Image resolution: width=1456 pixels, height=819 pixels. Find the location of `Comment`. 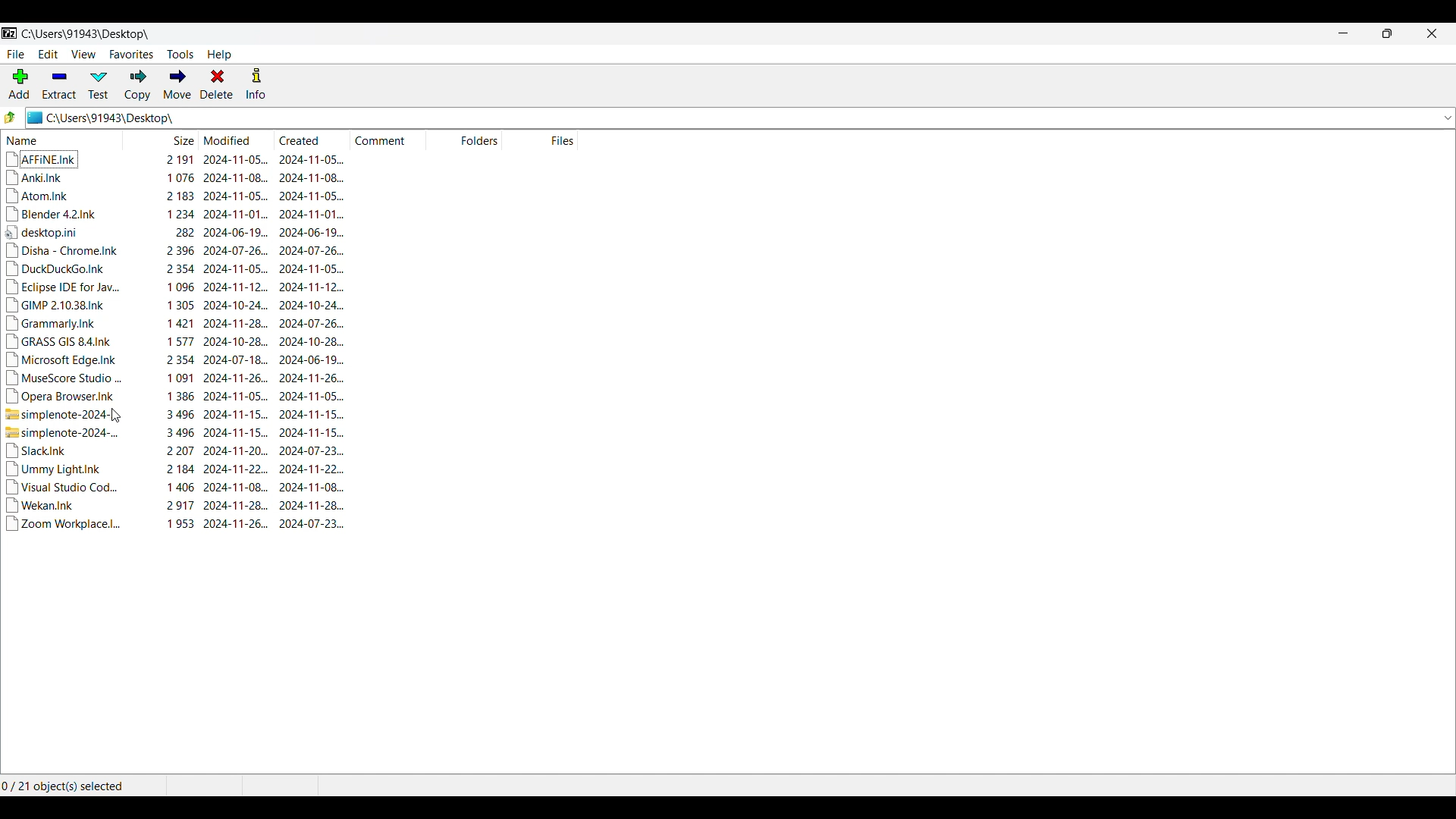

Comment is located at coordinates (388, 140).